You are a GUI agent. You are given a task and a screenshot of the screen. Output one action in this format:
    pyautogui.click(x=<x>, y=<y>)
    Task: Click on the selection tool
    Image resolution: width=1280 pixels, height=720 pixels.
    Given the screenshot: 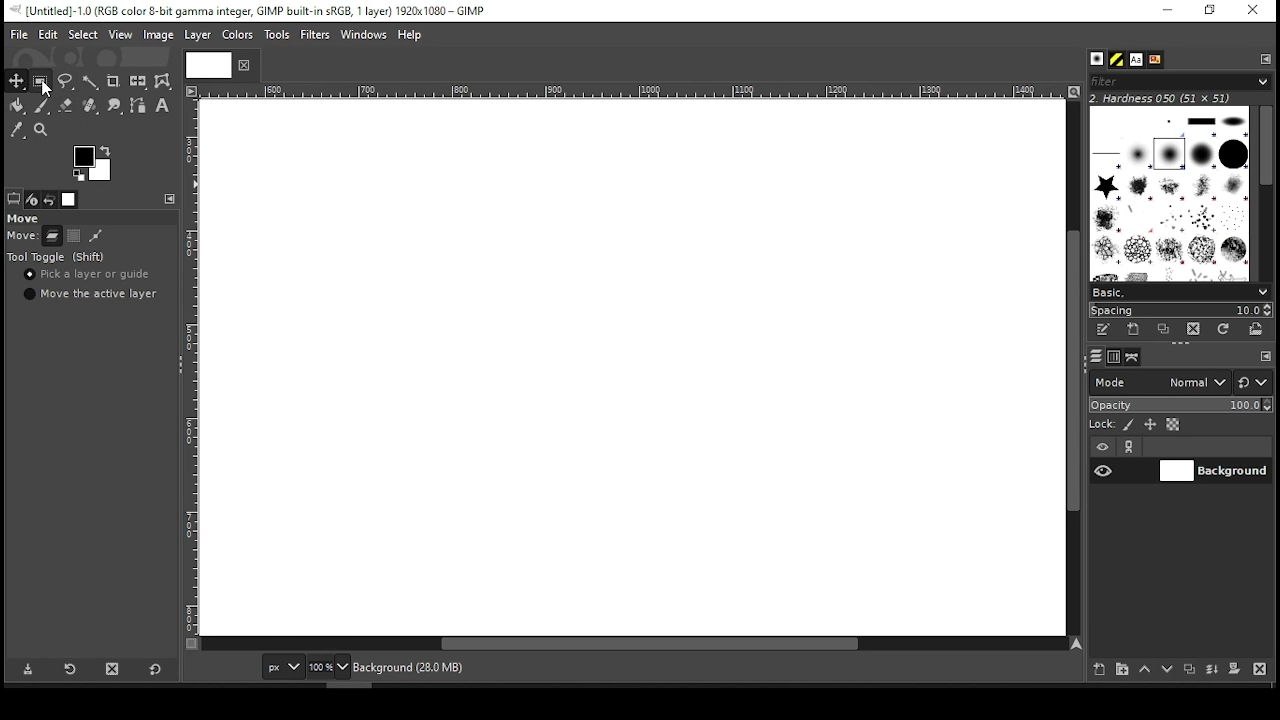 What is the action you would take?
    pyautogui.click(x=17, y=81)
    